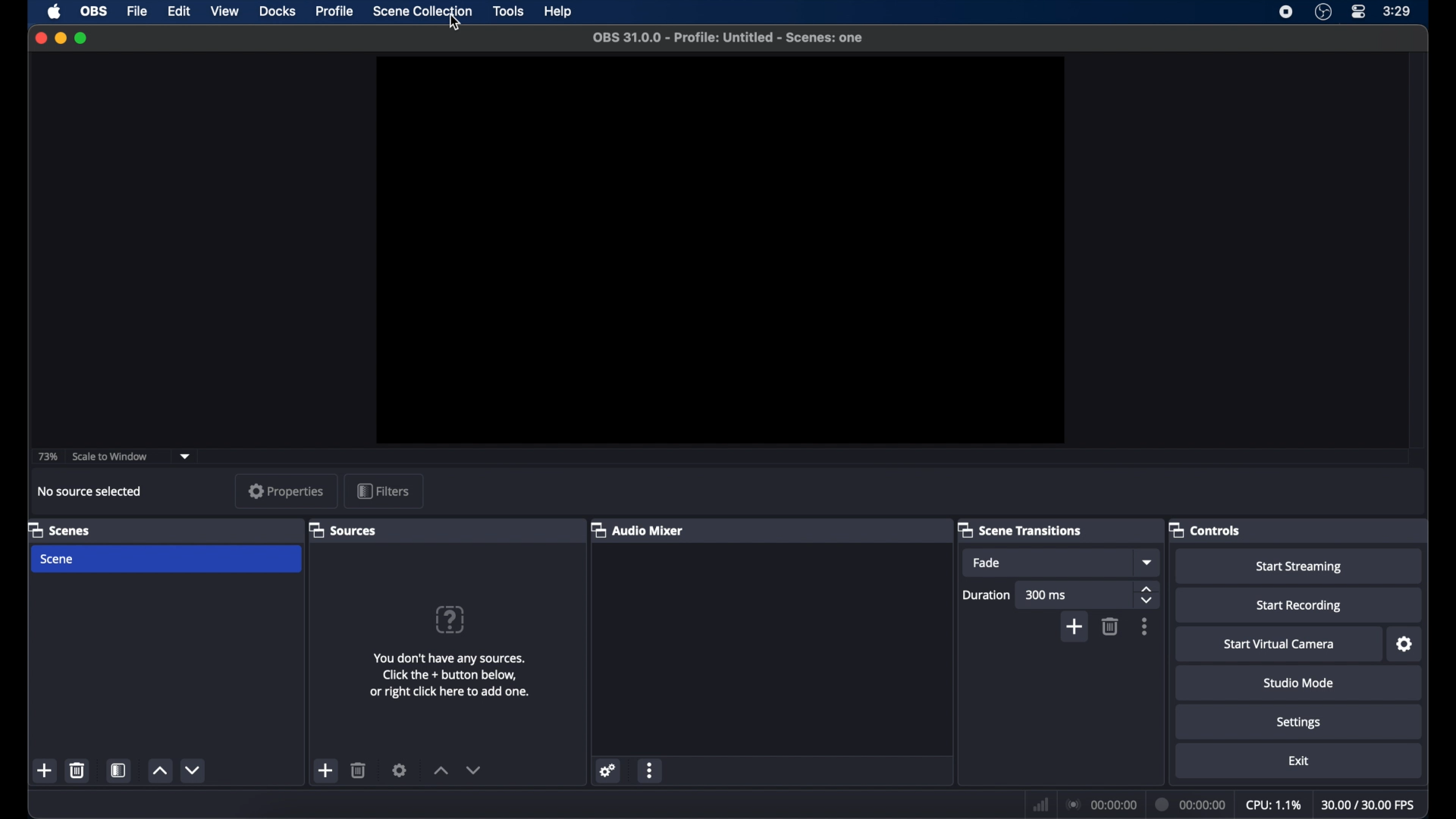 The image size is (1456, 819). What do you see at coordinates (1147, 562) in the screenshot?
I see `dropdown menu` at bounding box center [1147, 562].